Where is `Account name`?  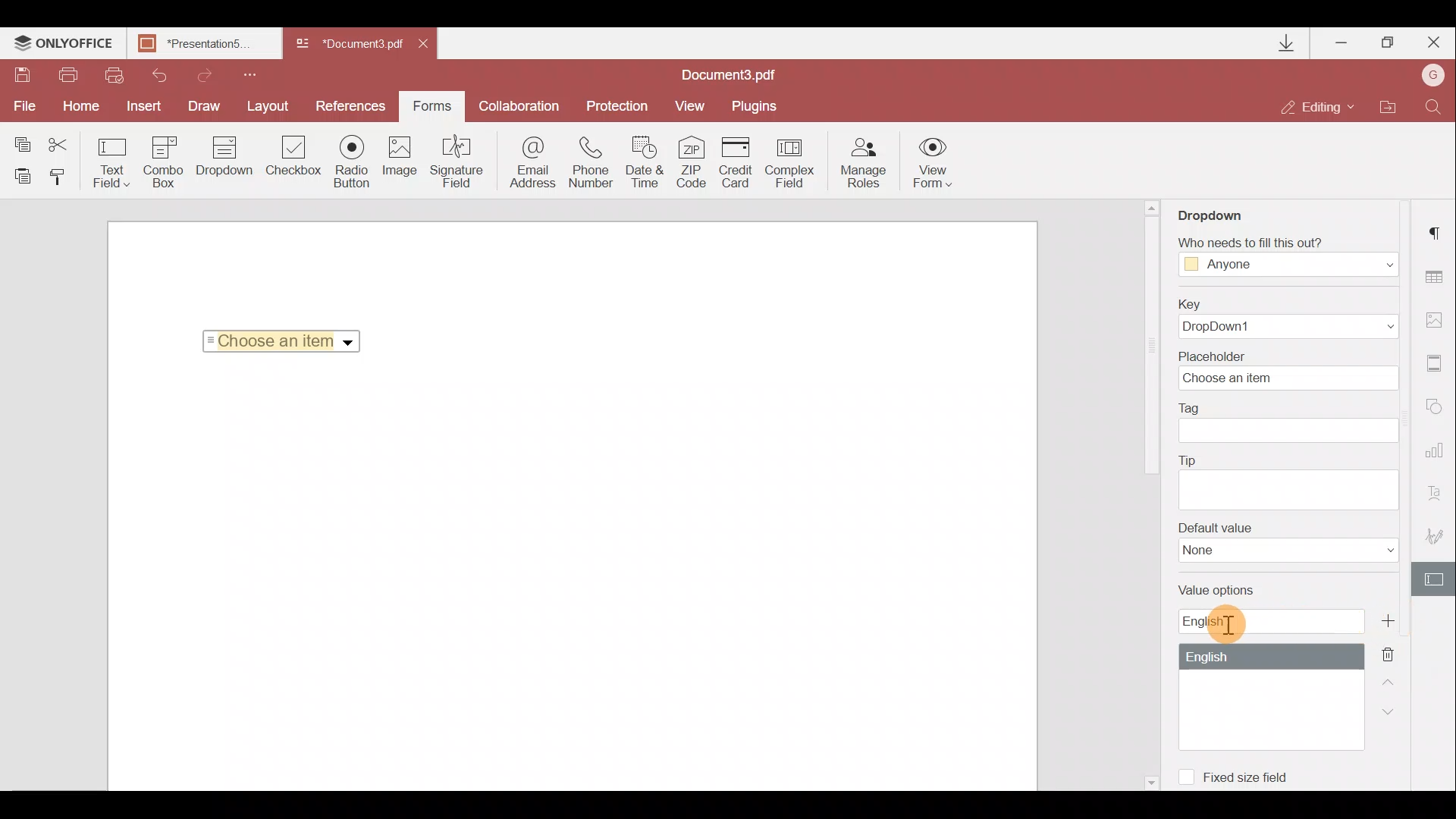
Account name is located at coordinates (1429, 77).